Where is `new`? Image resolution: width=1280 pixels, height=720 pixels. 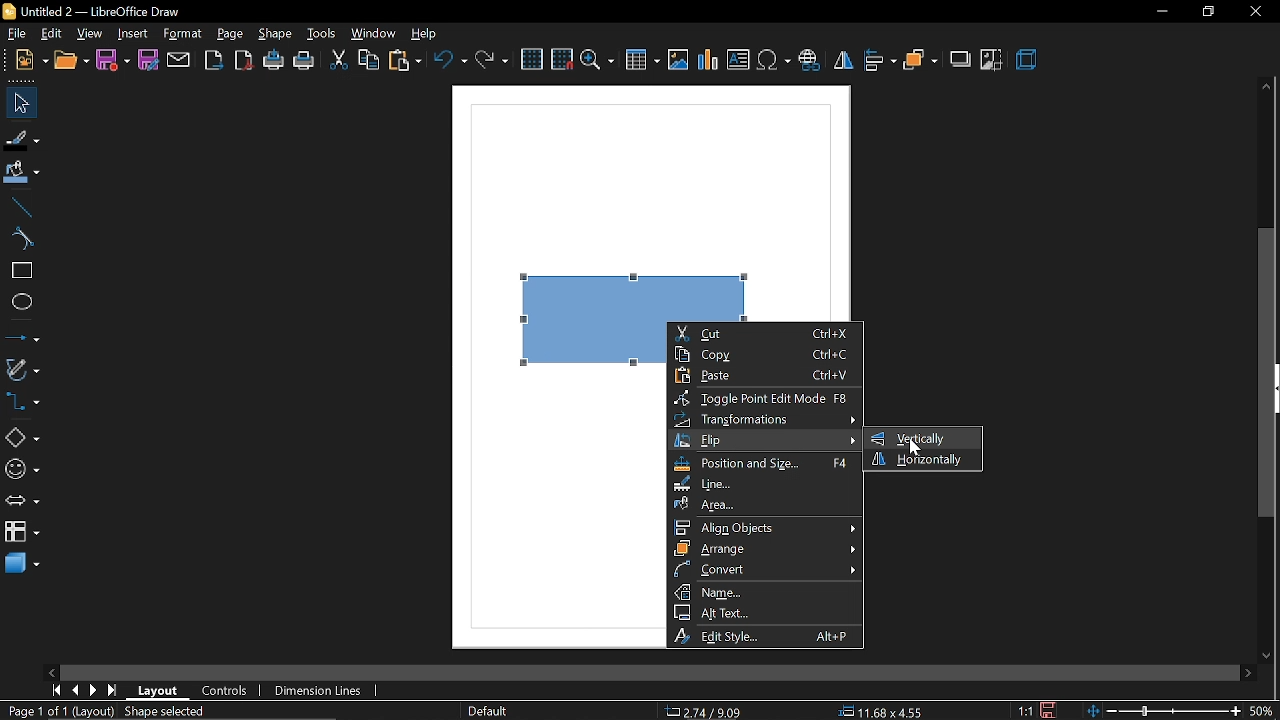 new is located at coordinates (25, 59).